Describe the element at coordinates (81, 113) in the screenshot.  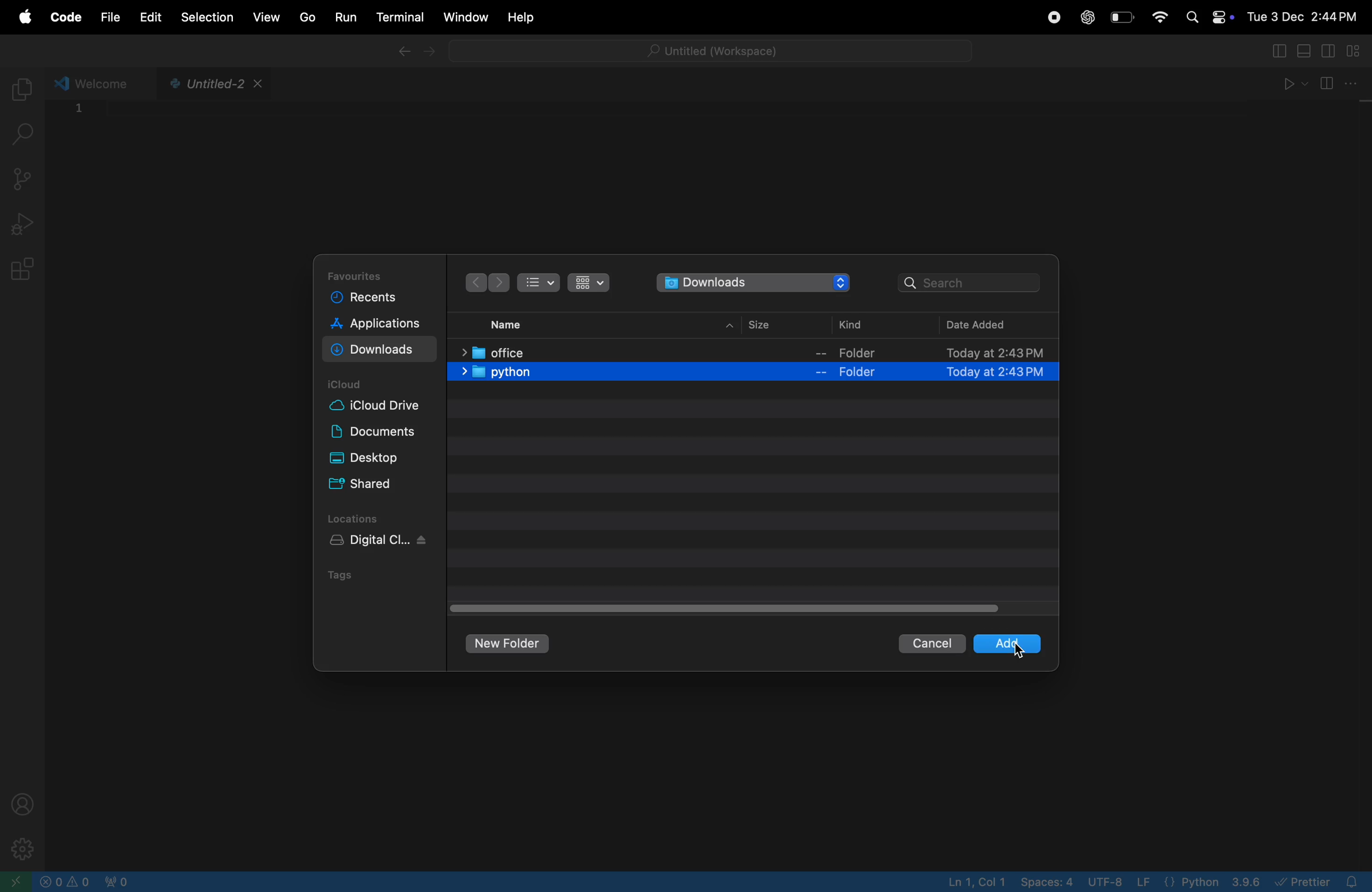
I see `1` at that location.